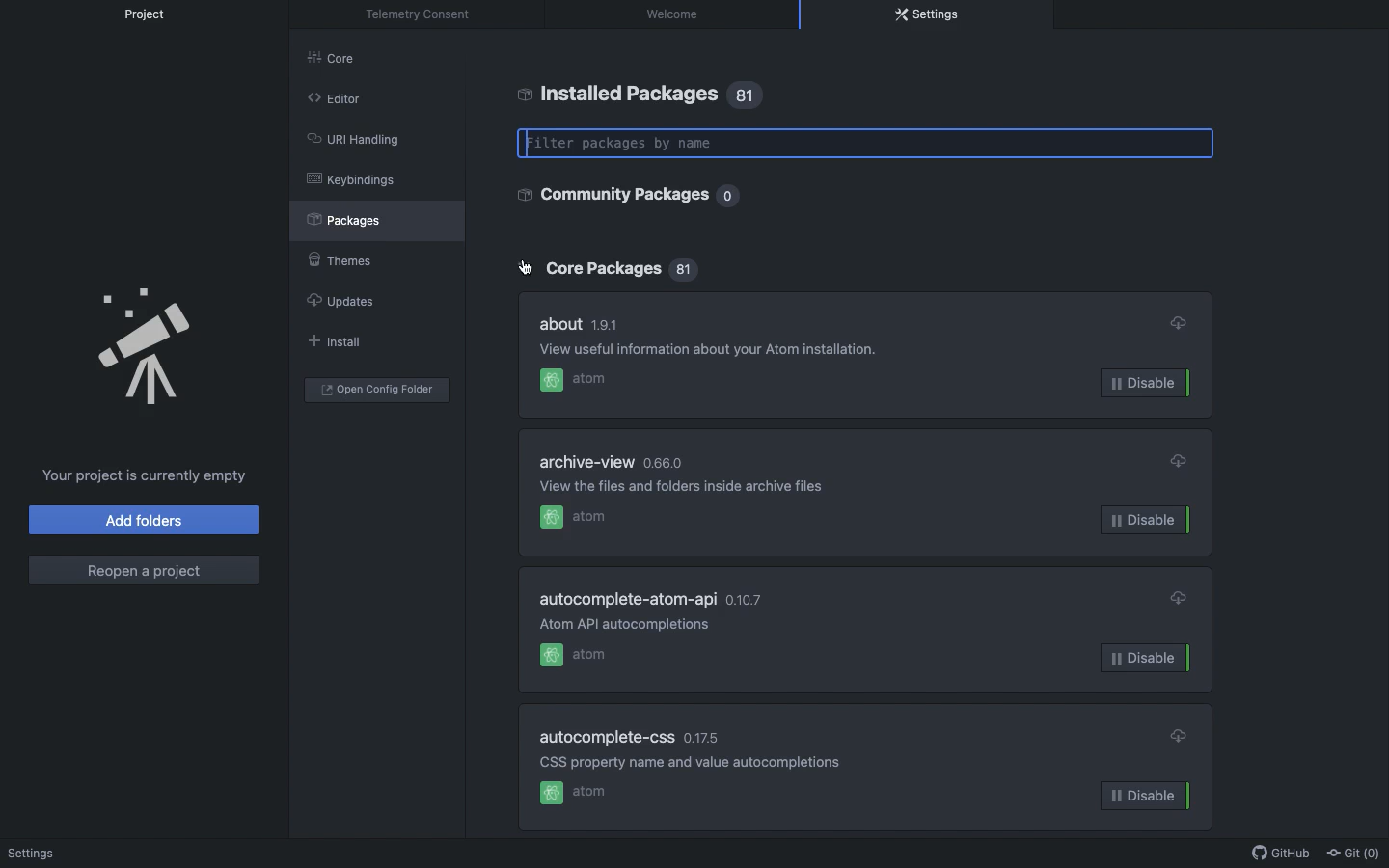 The width and height of the screenshot is (1389, 868). Describe the element at coordinates (1181, 735) in the screenshot. I see `Cloud` at that location.